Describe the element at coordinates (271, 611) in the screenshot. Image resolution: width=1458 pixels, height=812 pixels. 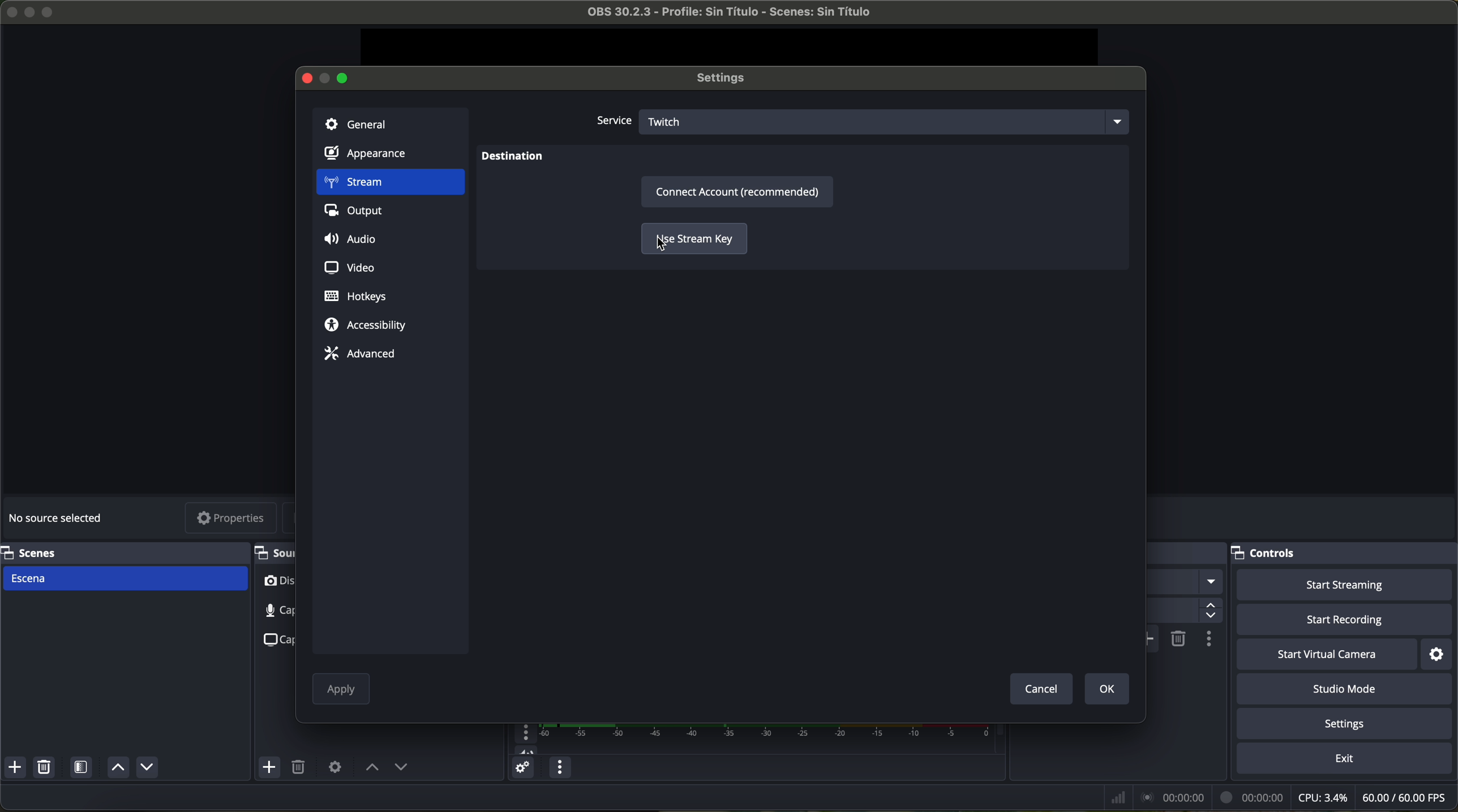
I see `audio input capture` at that location.